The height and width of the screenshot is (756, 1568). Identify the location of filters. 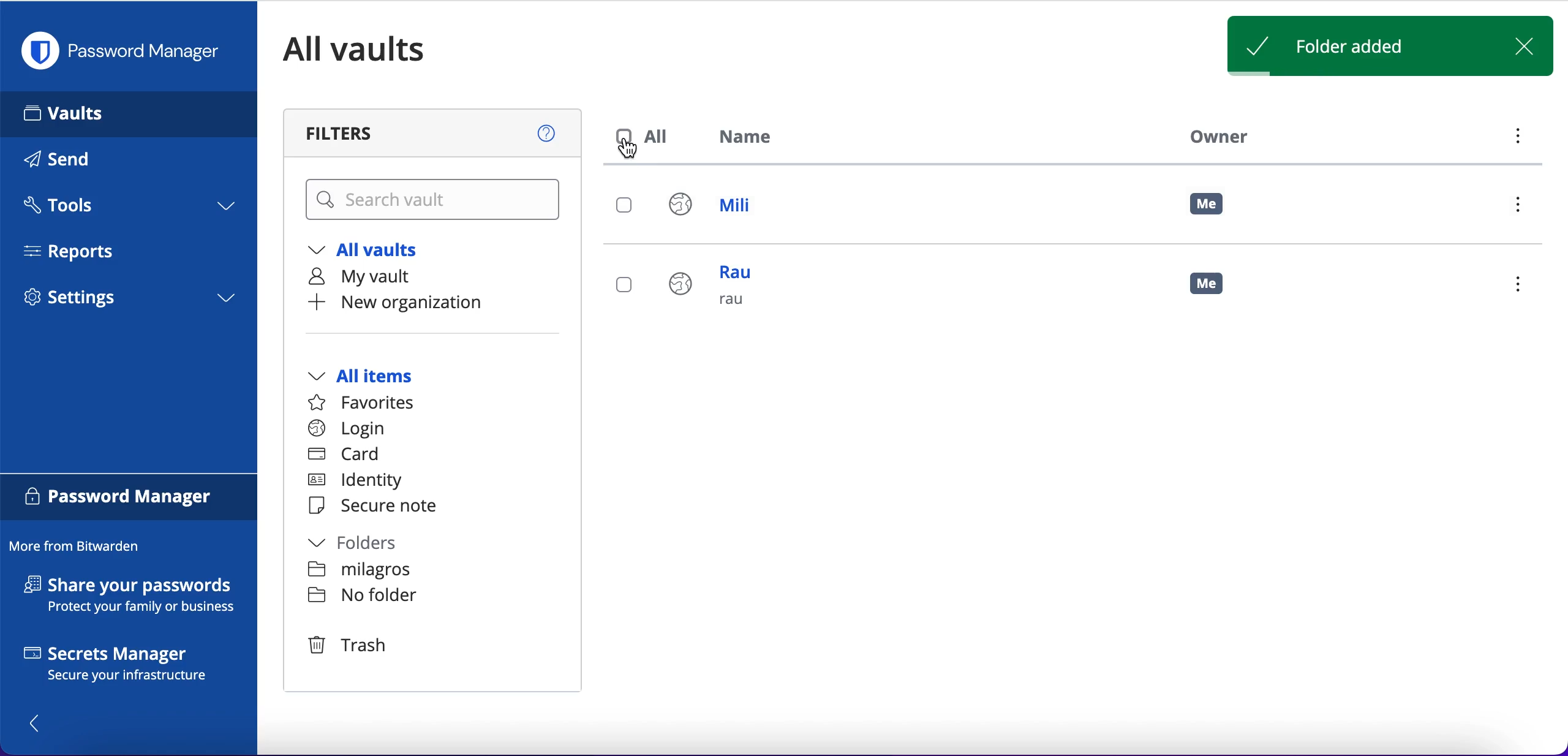
(435, 133).